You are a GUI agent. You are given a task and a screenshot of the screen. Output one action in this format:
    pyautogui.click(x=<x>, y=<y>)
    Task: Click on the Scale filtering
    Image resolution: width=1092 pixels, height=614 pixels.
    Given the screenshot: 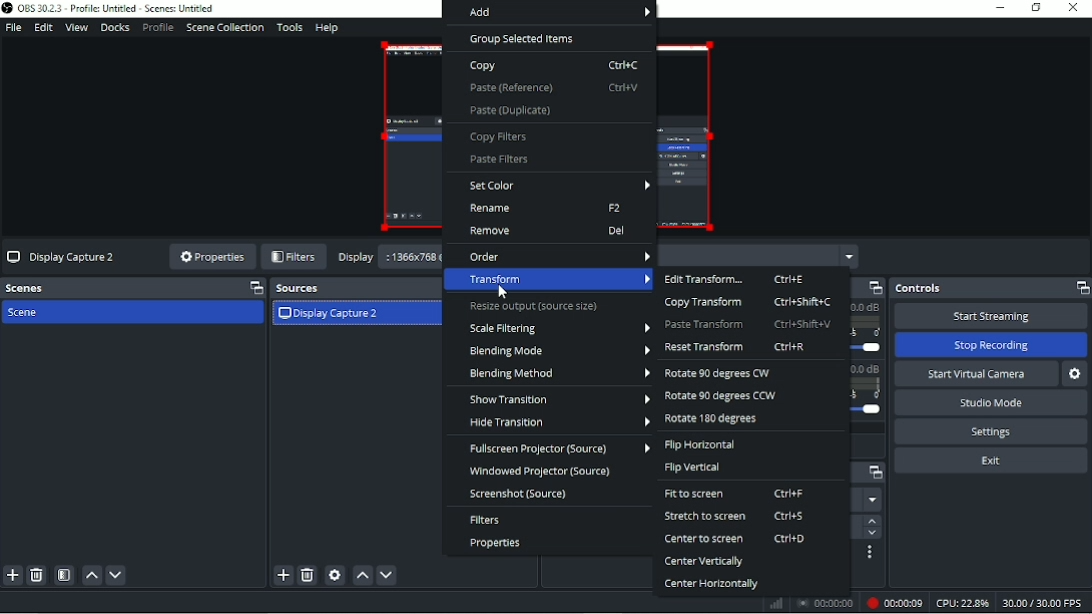 What is the action you would take?
    pyautogui.click(x=558, y=328)
    